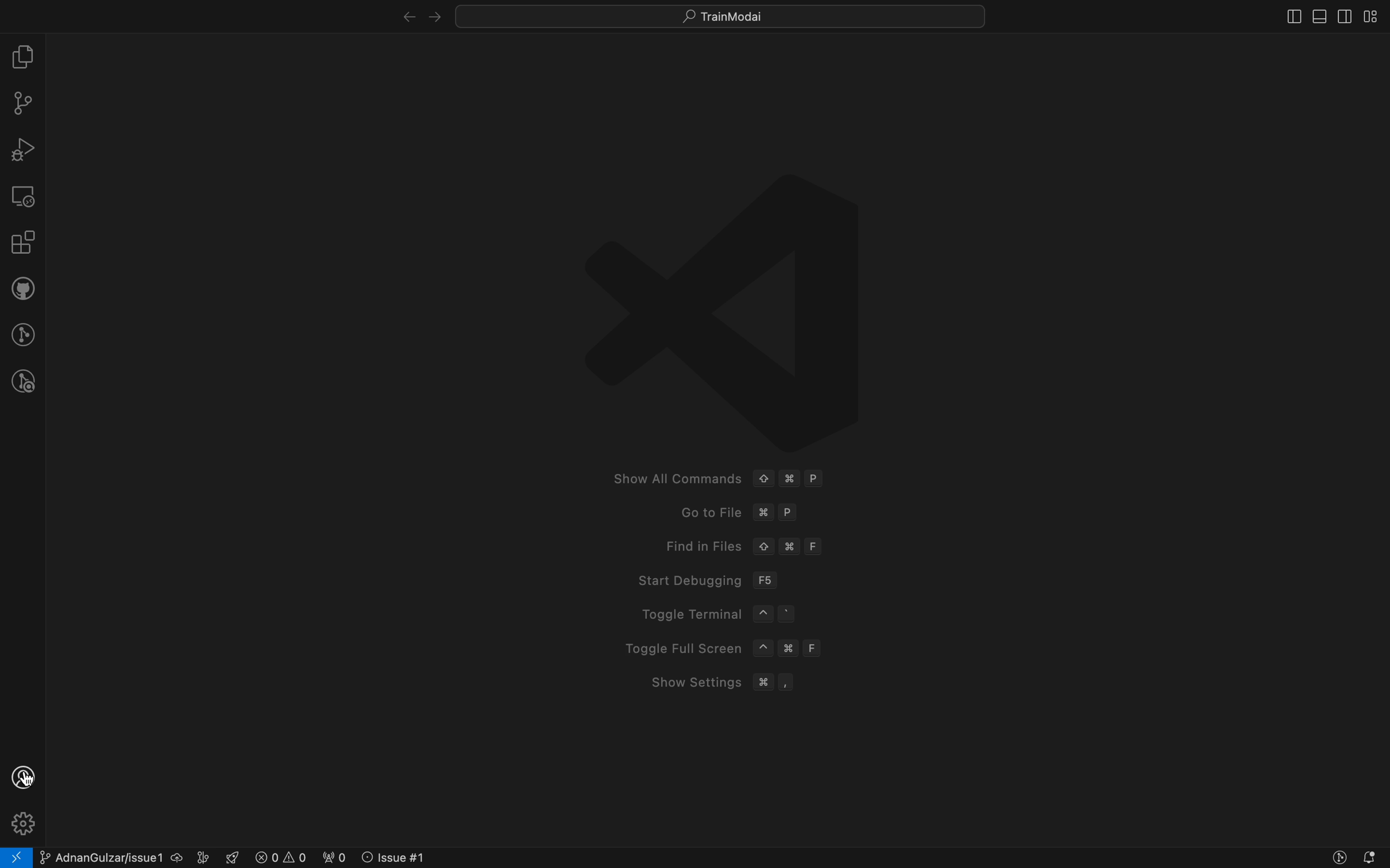  I want to click on git lens inspect, so click(20, 382).